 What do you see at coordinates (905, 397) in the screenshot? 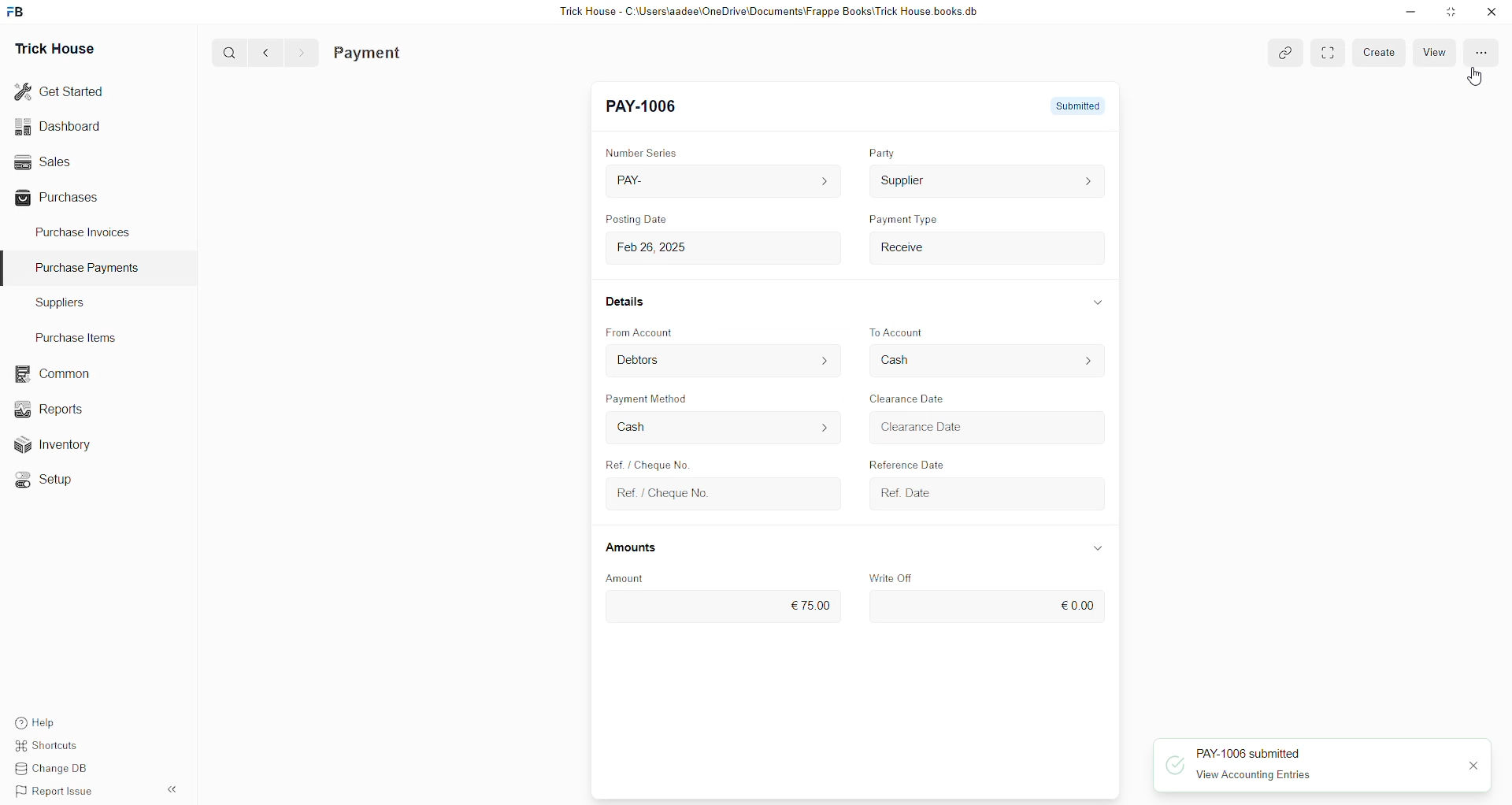
I see `Clearance Date` at bounding box center [905, 397].